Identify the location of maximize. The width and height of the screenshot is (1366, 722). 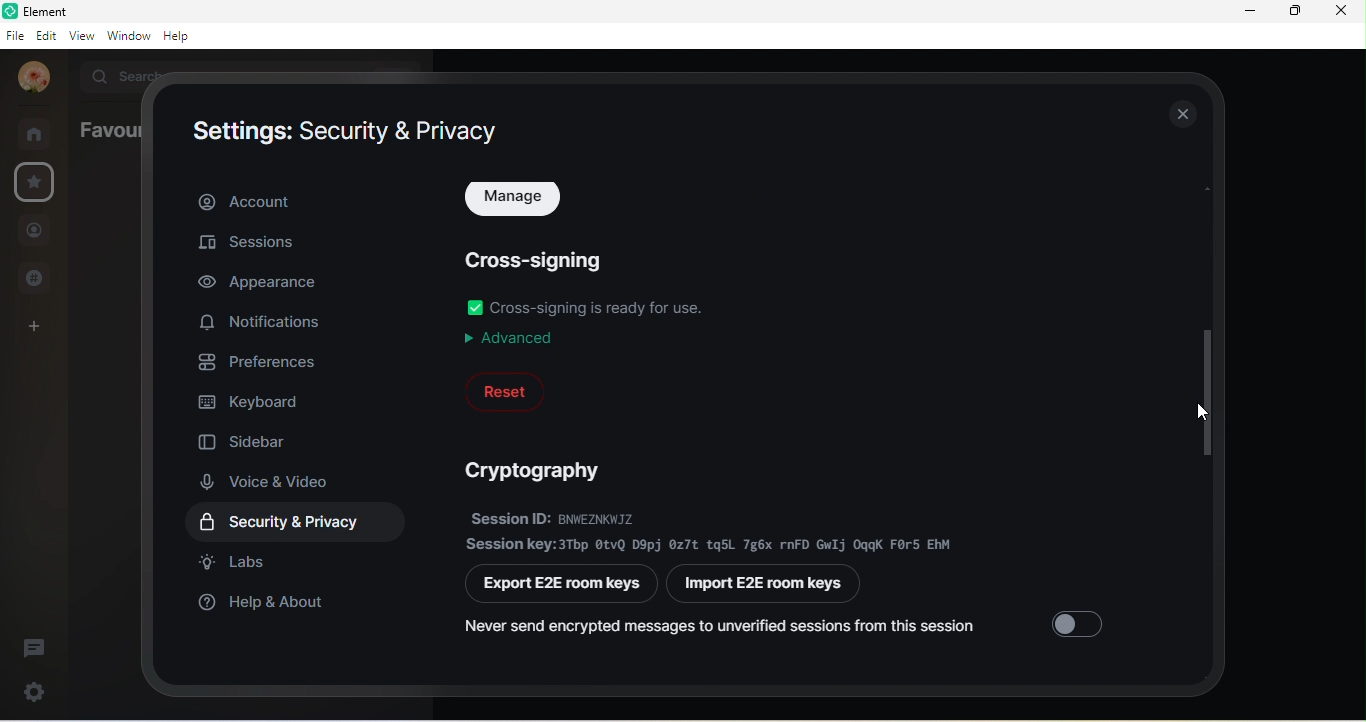
(1292, 12).